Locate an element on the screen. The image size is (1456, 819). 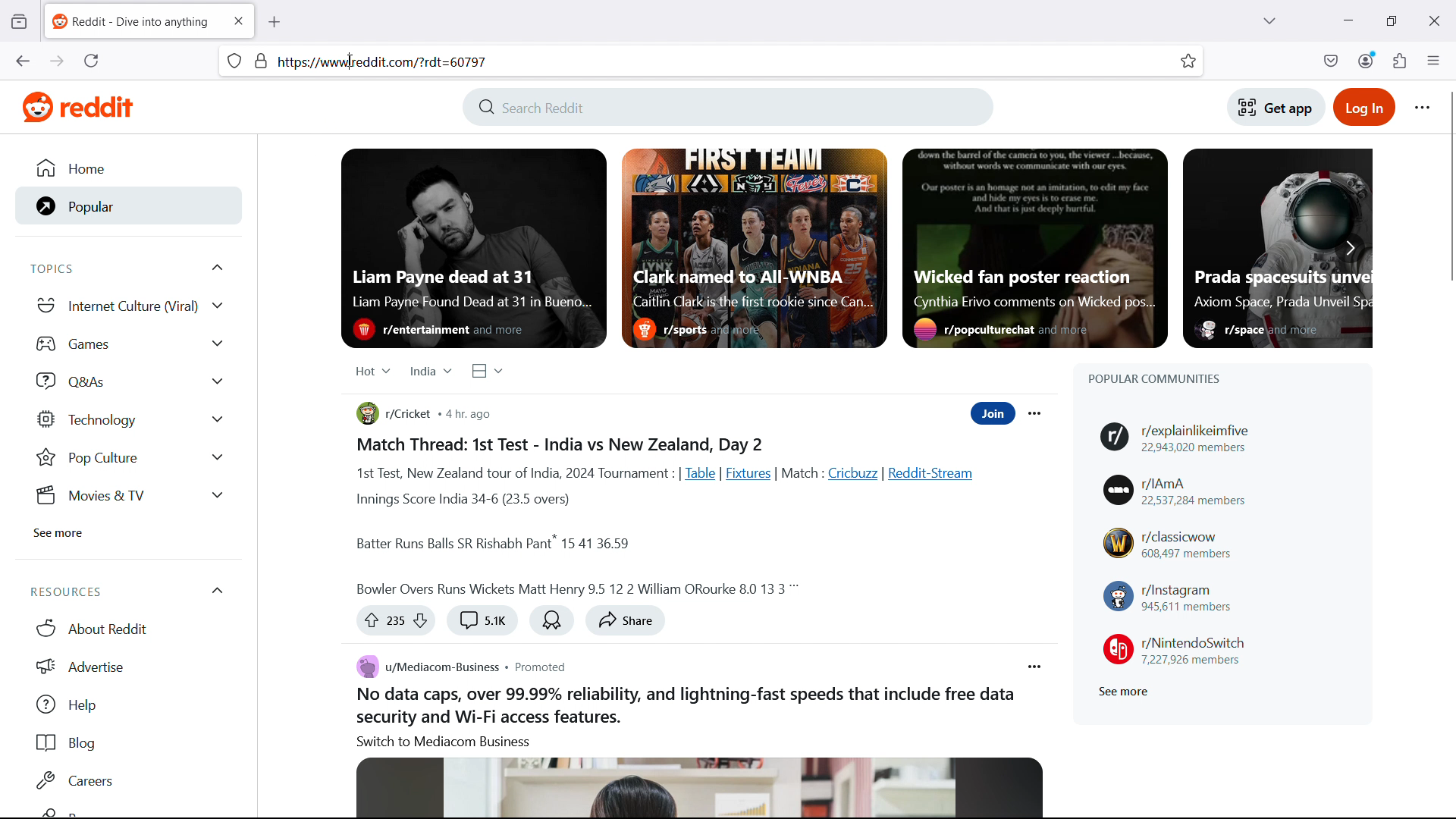
save to pocket is located at coordinates (1331, 60).